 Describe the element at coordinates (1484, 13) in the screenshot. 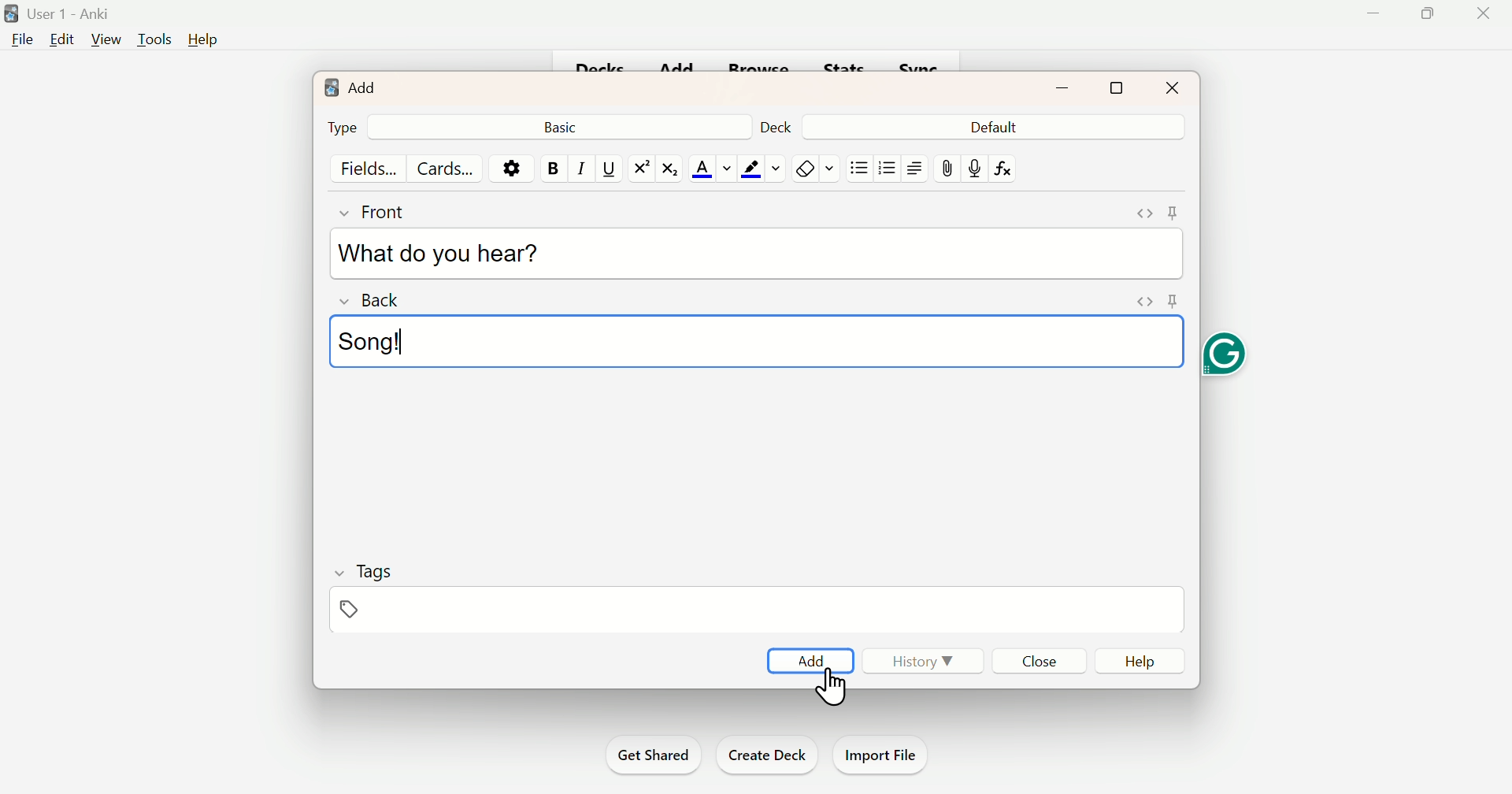

I see `Close` at that location.